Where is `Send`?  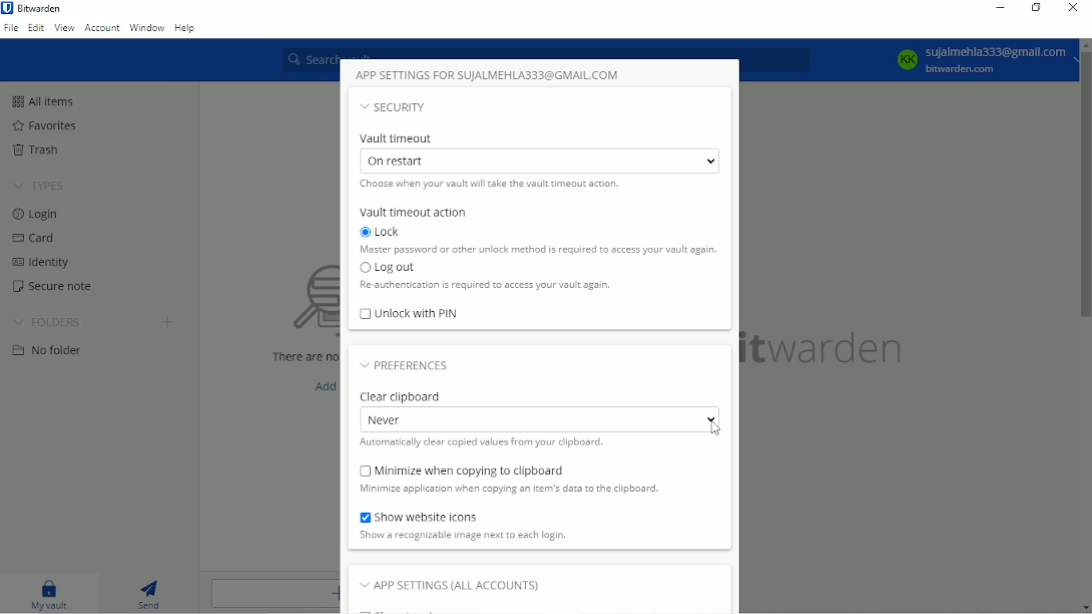 Send is located at coordinates (150, 593).